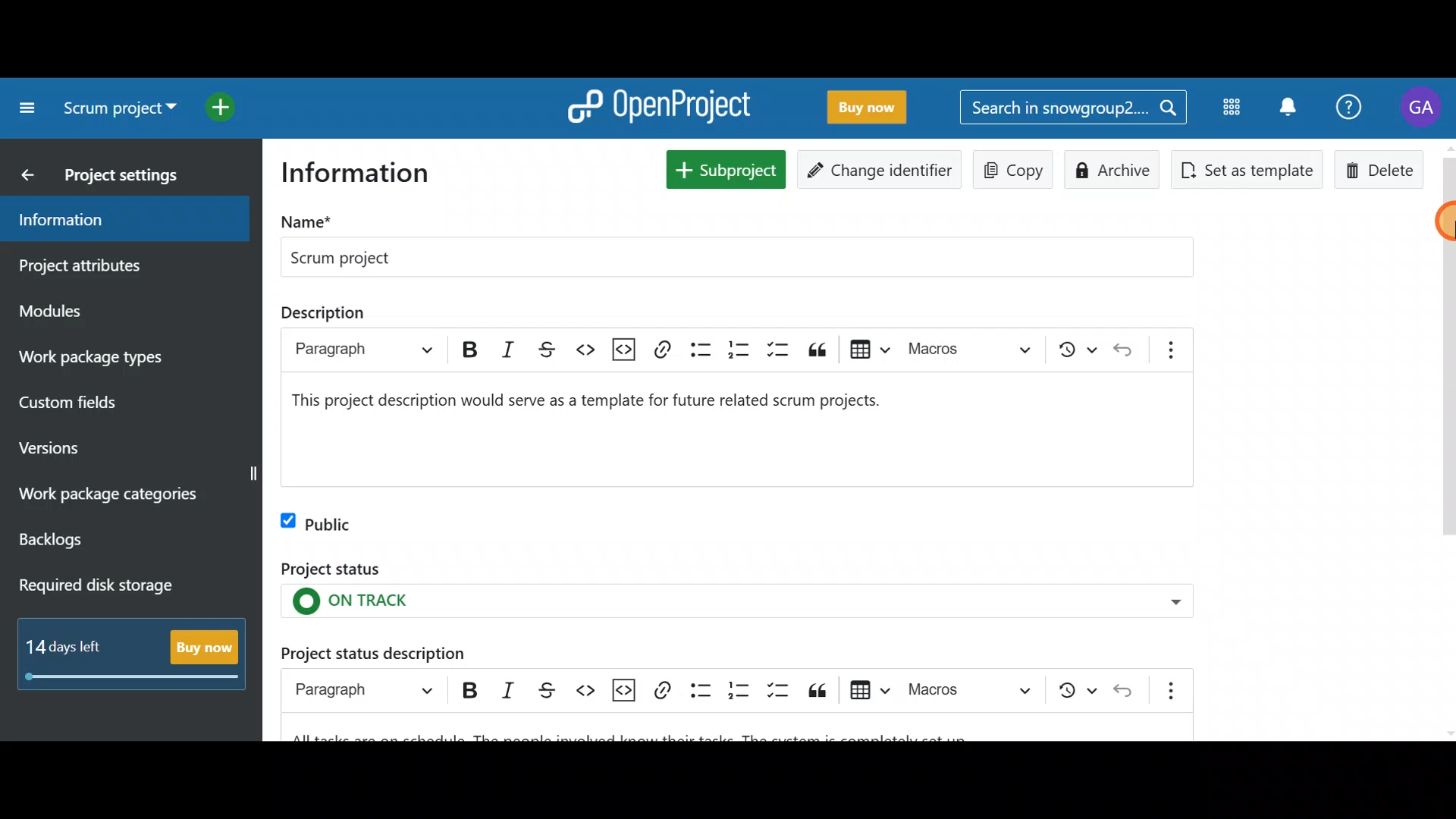 This screenshot has width=1456, height=819. What do you see at coordinates (816, 350) in the screenshot?
I see `block quote` at bounding box center [816, 350].